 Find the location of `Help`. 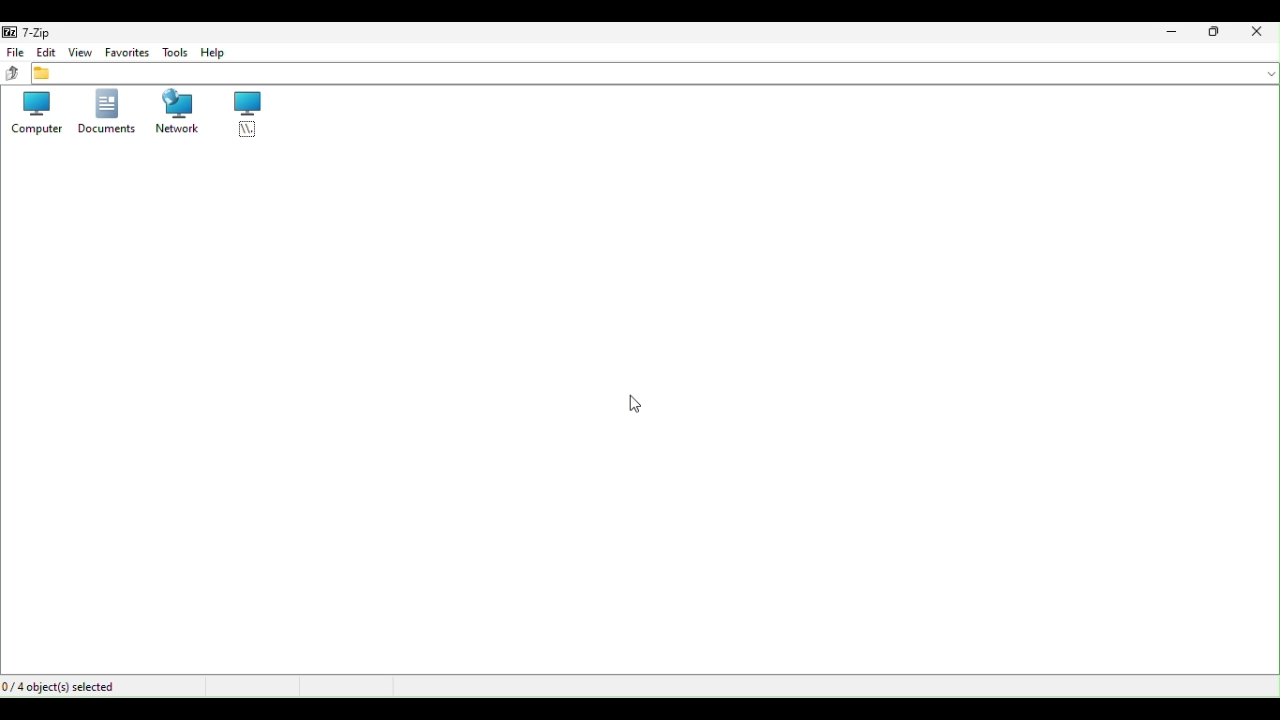

Help is located at coordinates (221, 52).